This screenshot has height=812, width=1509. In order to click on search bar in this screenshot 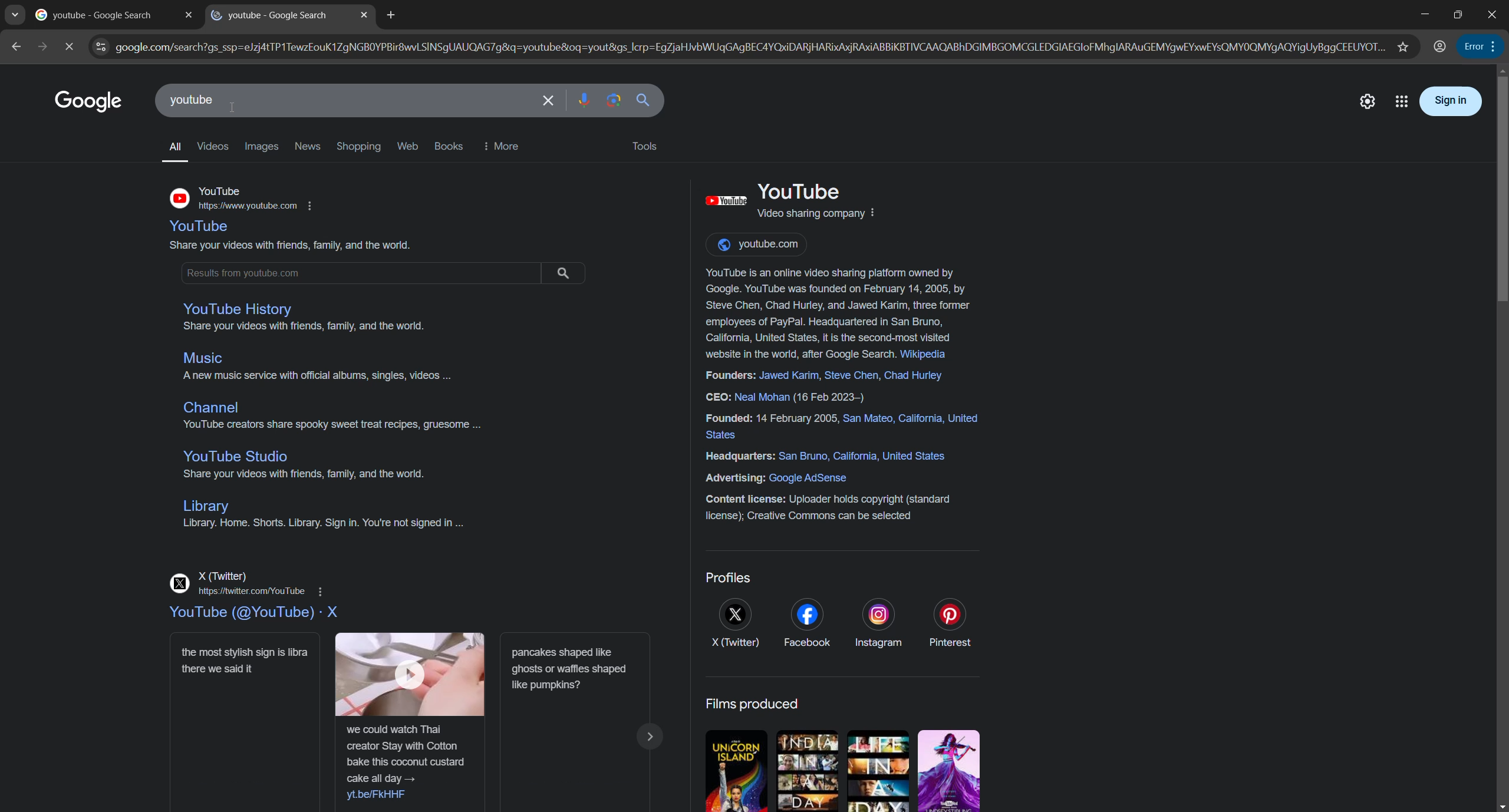, I will do `click(341, 100)`.